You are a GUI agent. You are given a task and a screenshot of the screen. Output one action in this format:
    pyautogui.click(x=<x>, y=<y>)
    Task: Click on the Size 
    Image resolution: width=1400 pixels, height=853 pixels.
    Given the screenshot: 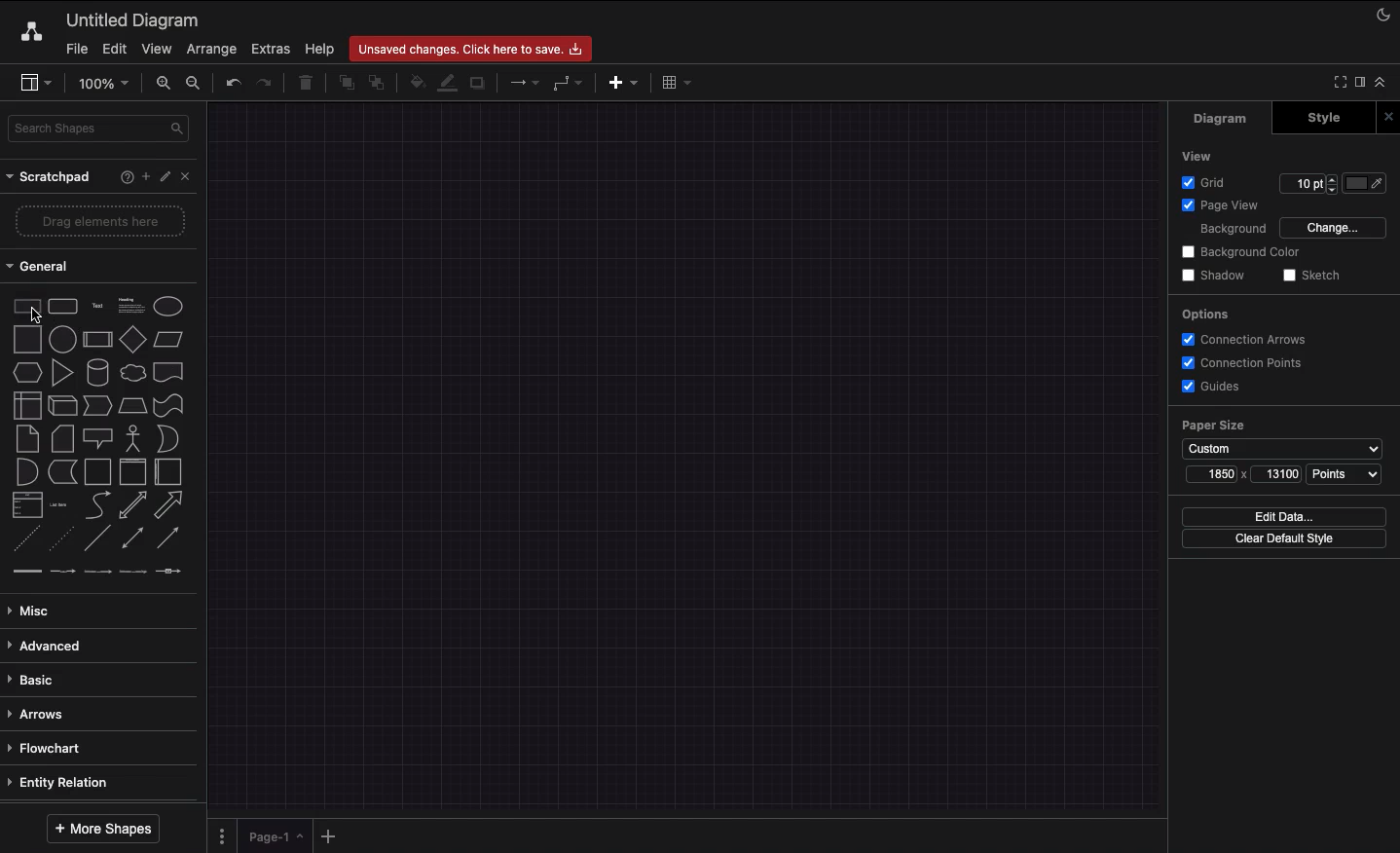 What is the action you would take?
    pyautogui.click(x=1245, y=477)
    